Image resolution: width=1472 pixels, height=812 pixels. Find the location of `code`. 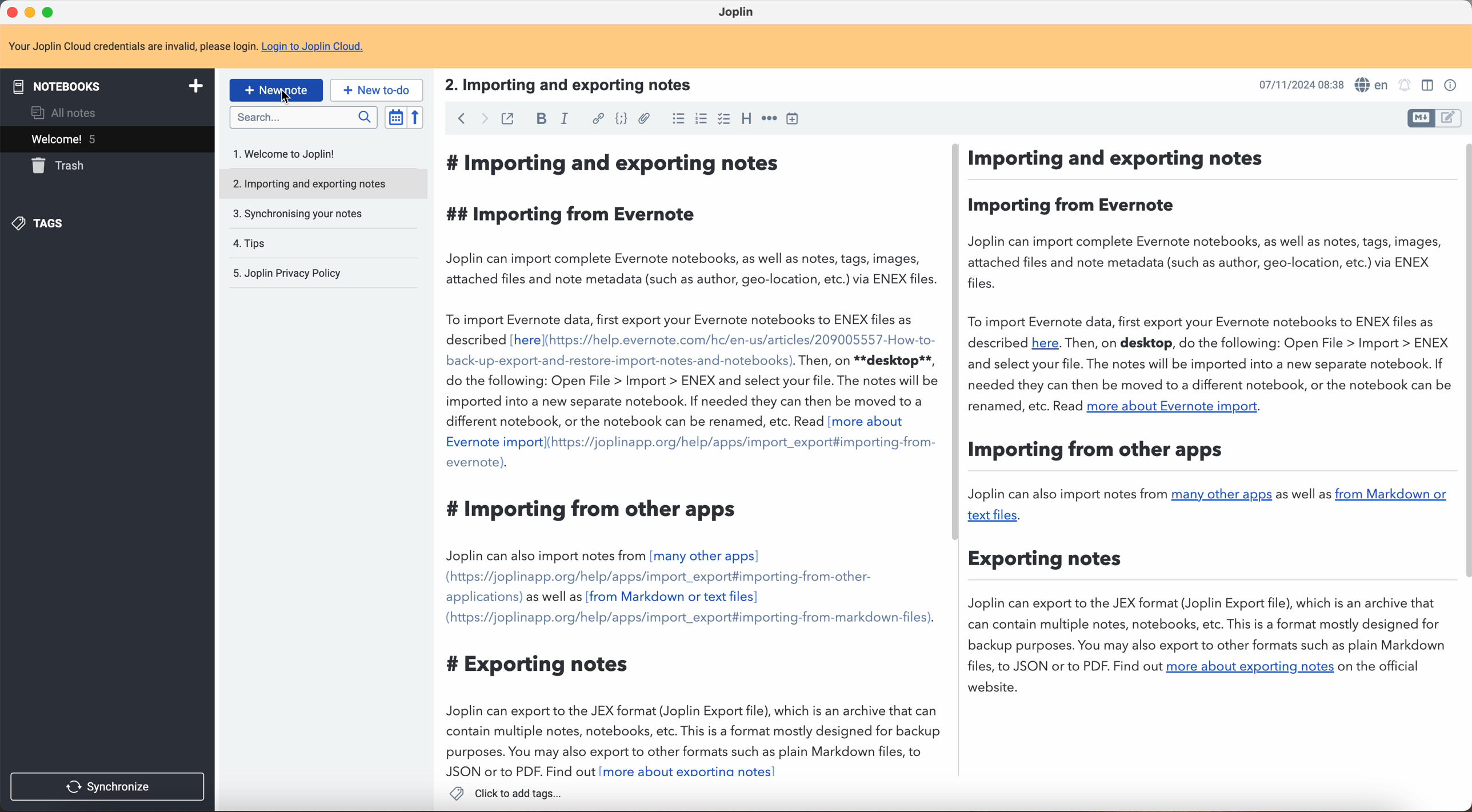

code is located at coordinates (622, 121).